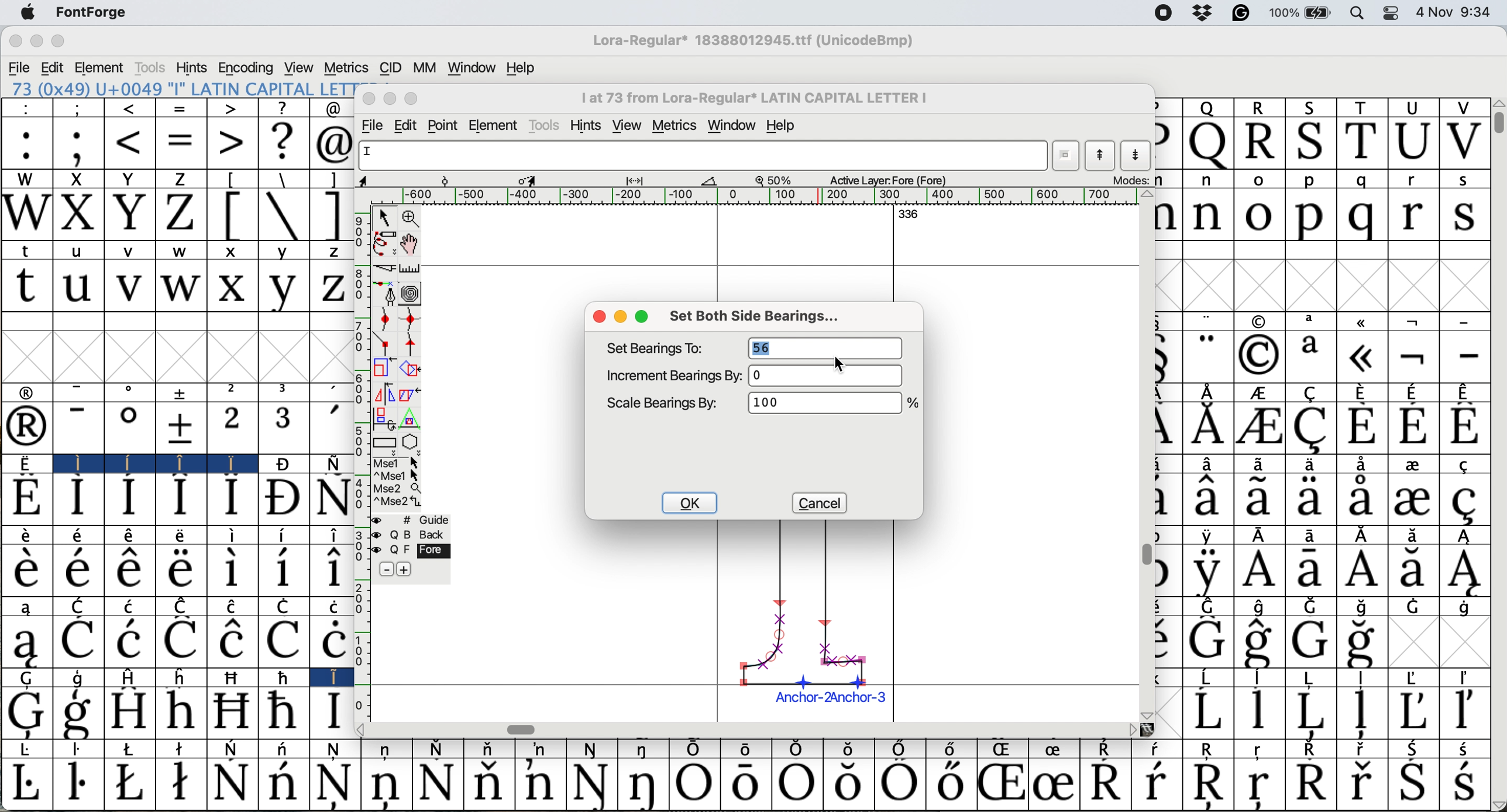 The height and width of the screenshot is (812, 1507). I want to click on Symbol, so click(1210, 784).